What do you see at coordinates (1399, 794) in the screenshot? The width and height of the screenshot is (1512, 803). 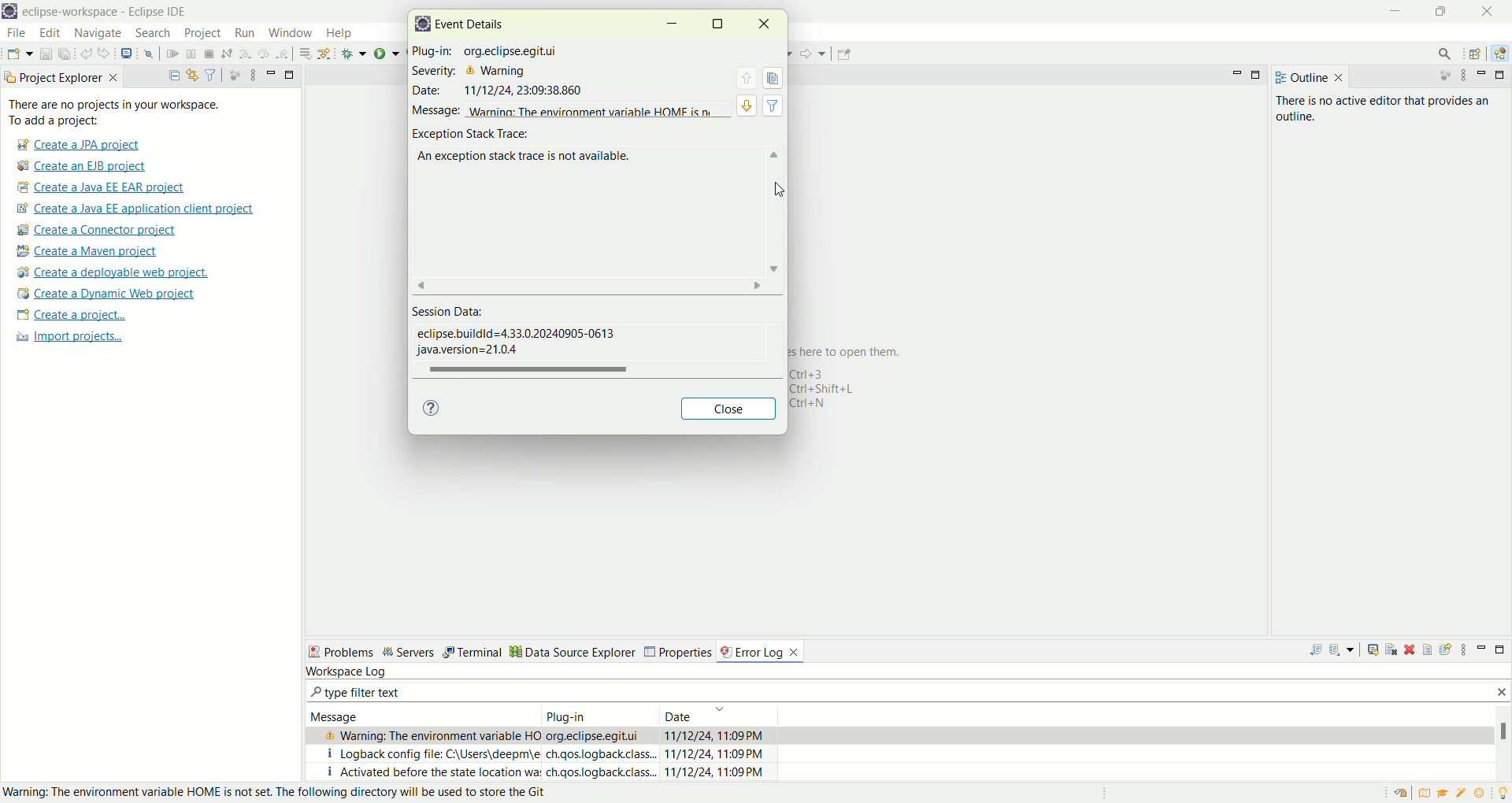 I see `restore welcome` at bounding box center [1399, 794].